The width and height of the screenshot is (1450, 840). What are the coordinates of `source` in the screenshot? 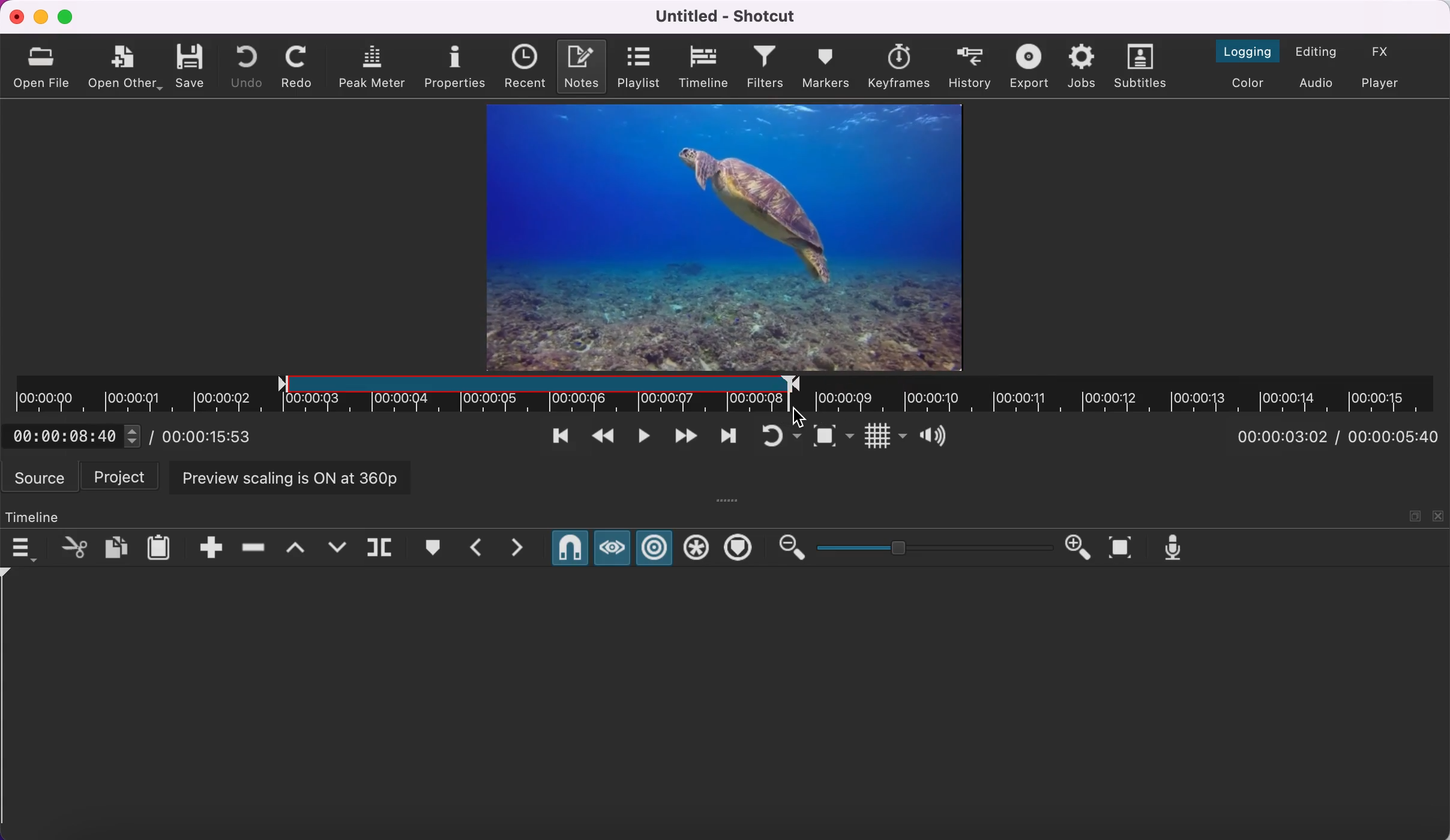 It's located at (39, 478).